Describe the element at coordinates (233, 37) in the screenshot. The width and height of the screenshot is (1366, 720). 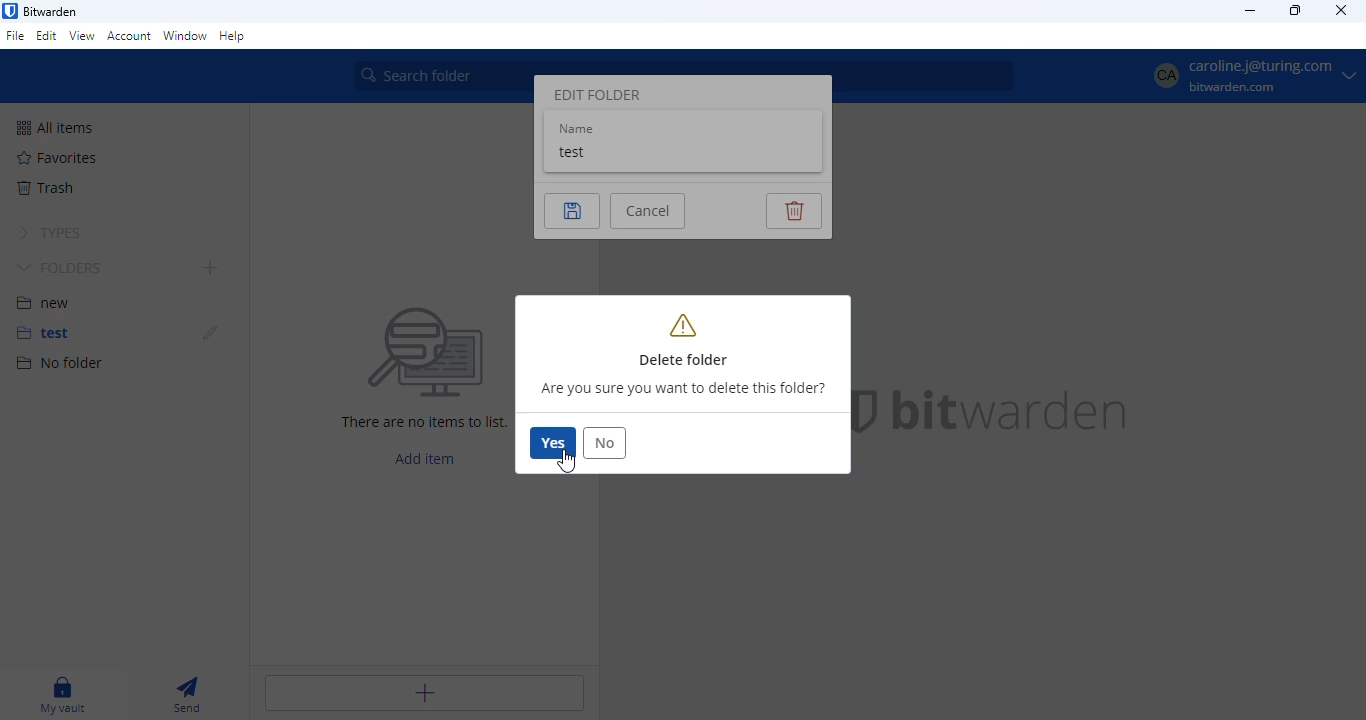
I see `help` at that location.